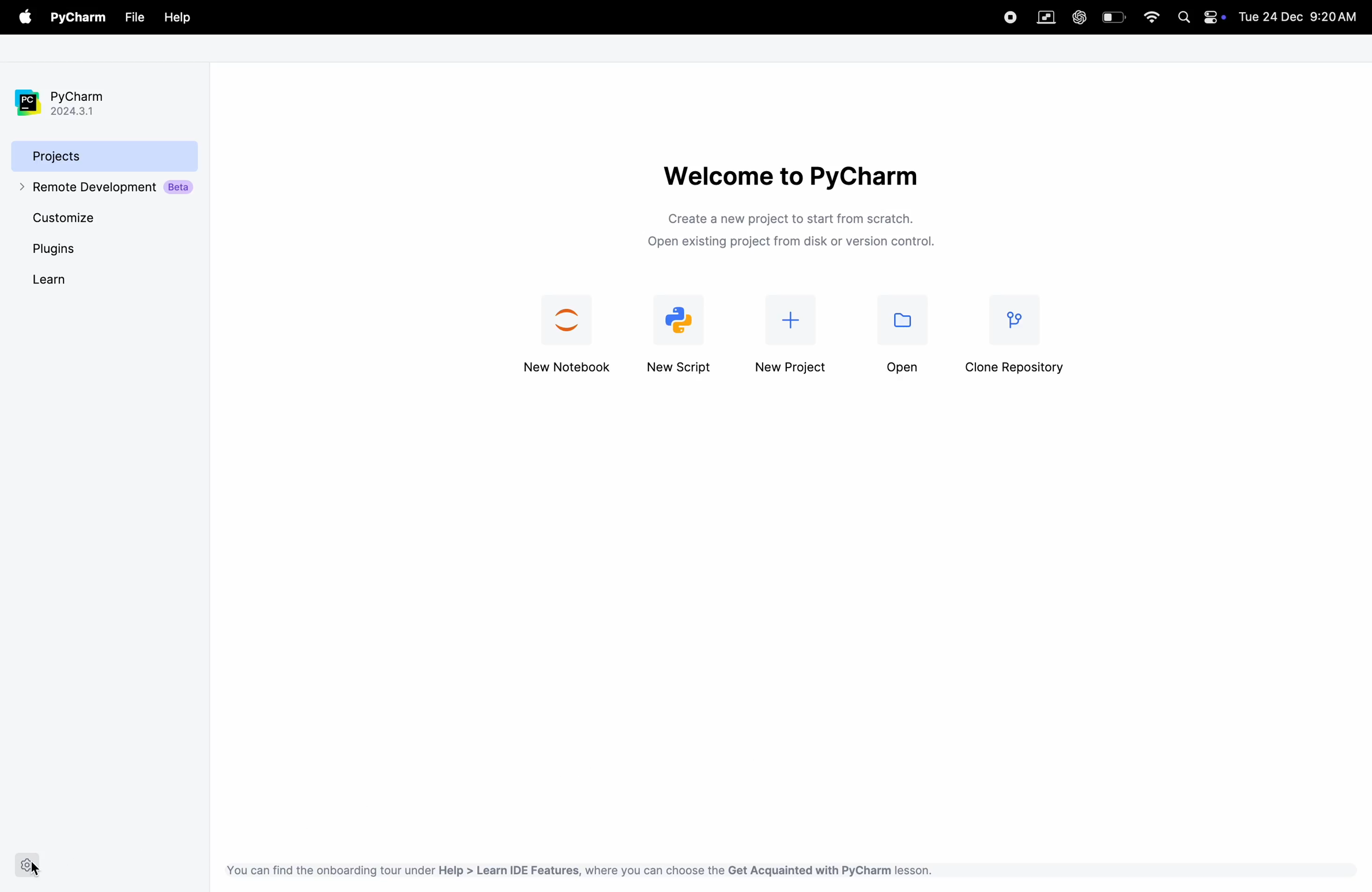  I want to click on jupyter , so click(569, 336).